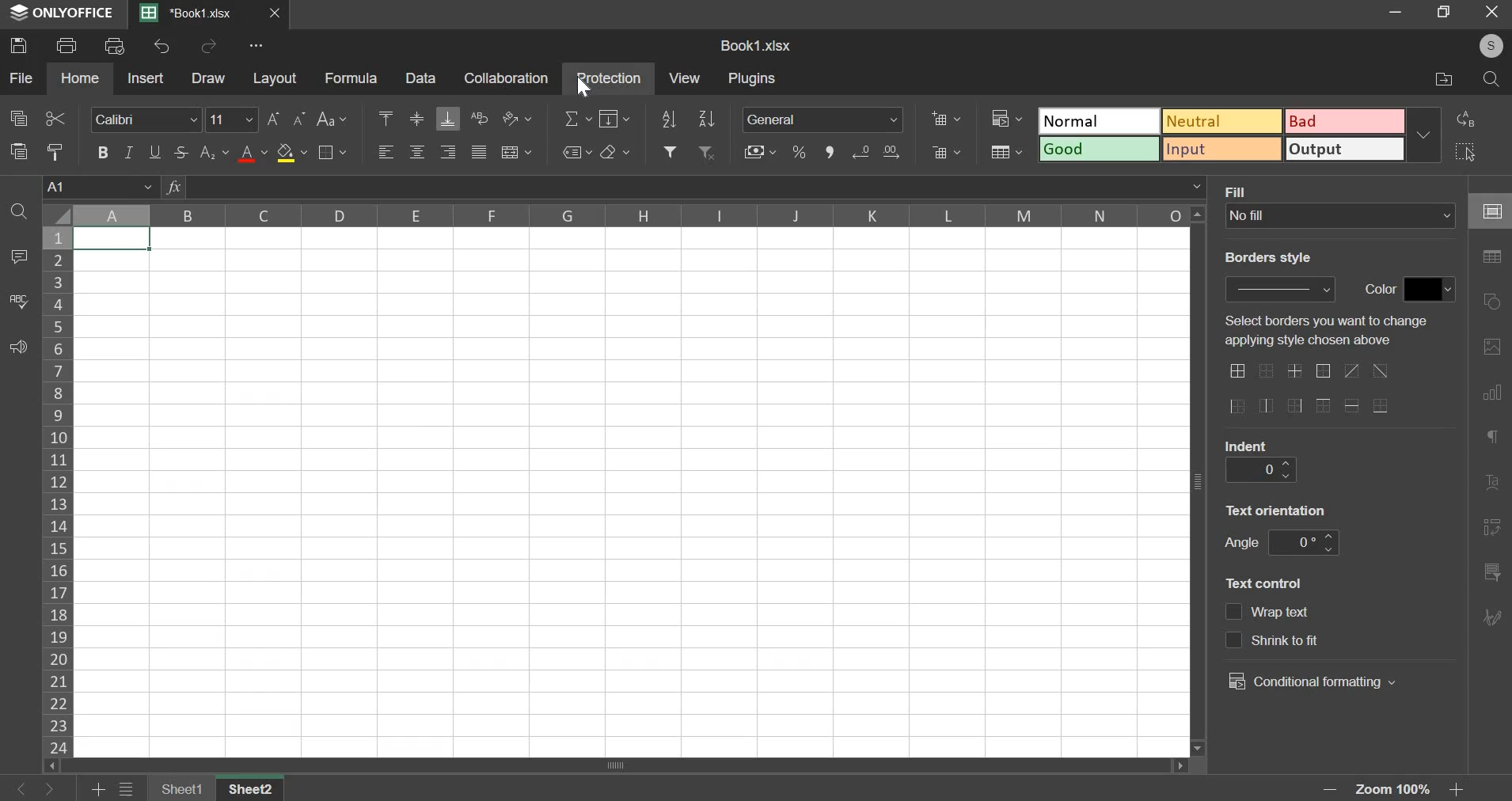 This screenshot has height=801, width=1512. I want to click on border options, so click(1237, 370).